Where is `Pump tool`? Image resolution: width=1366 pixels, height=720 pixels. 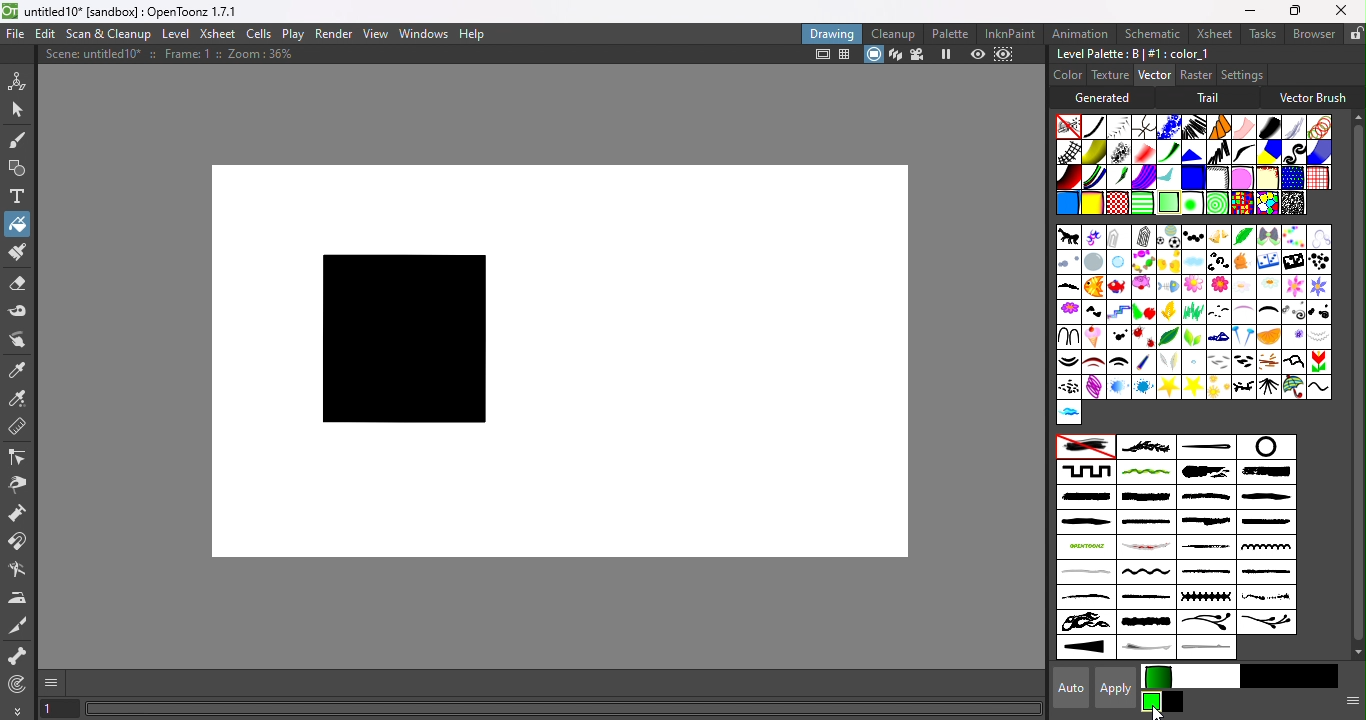 Pump tool is located at coordinates (24, 513).